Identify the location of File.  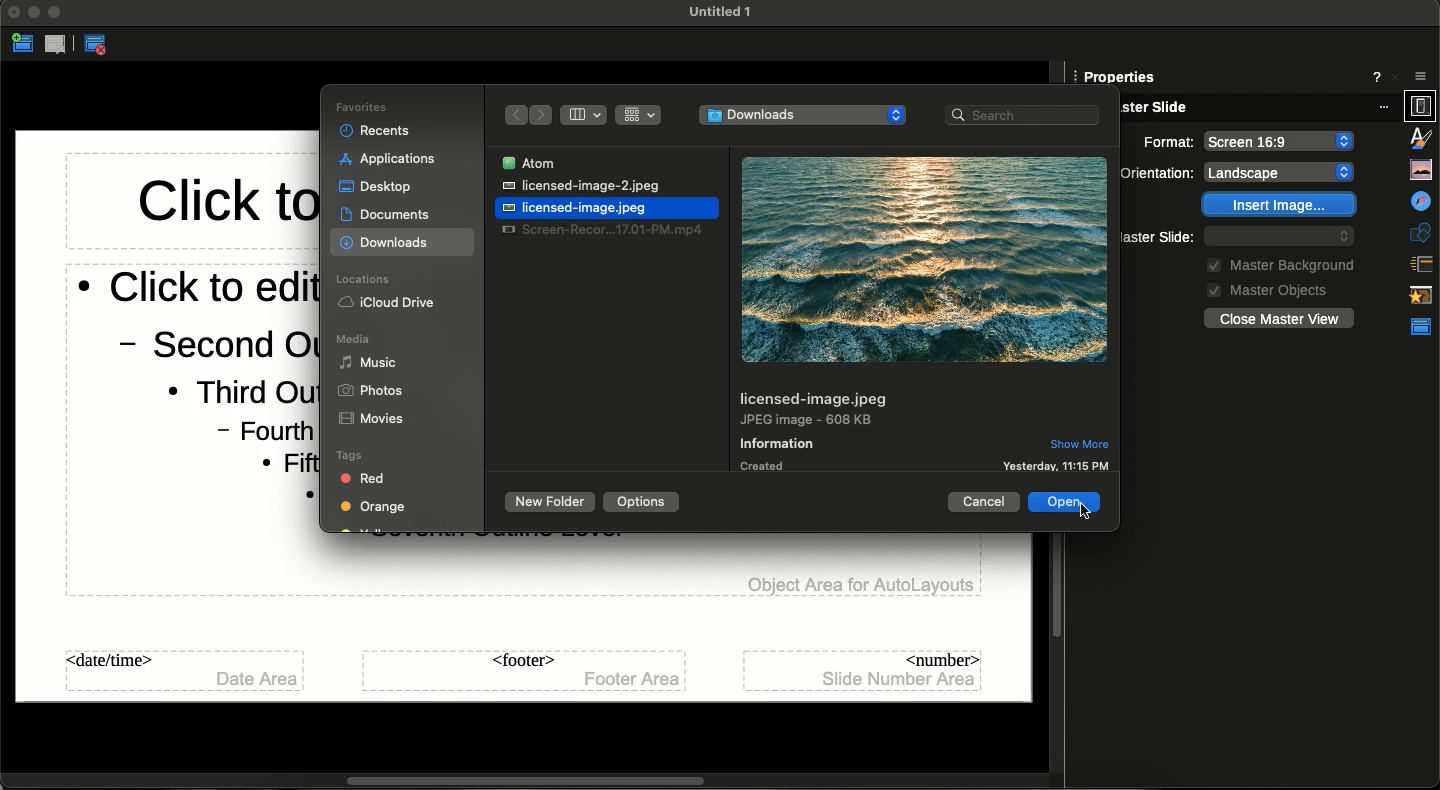
(581, 184).